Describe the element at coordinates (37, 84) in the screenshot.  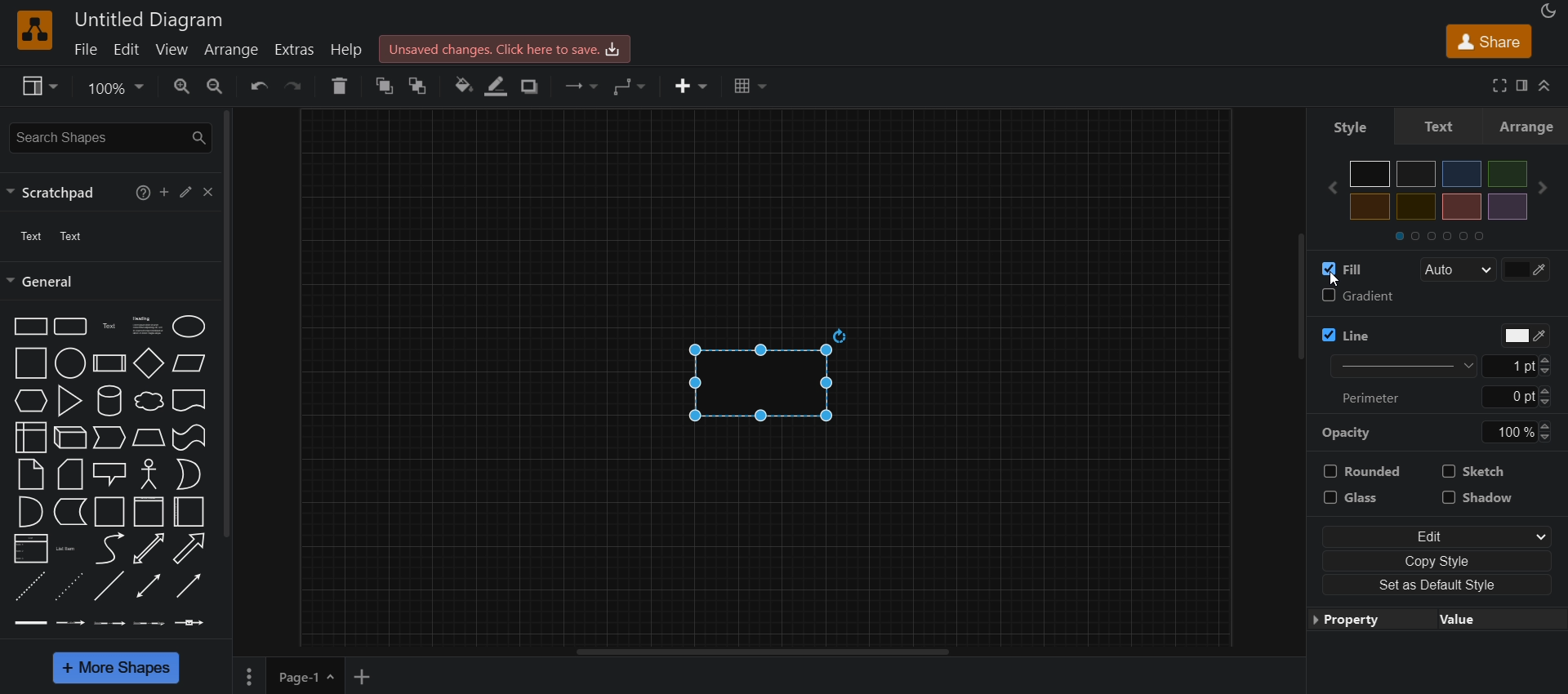
I see `view` at that location.